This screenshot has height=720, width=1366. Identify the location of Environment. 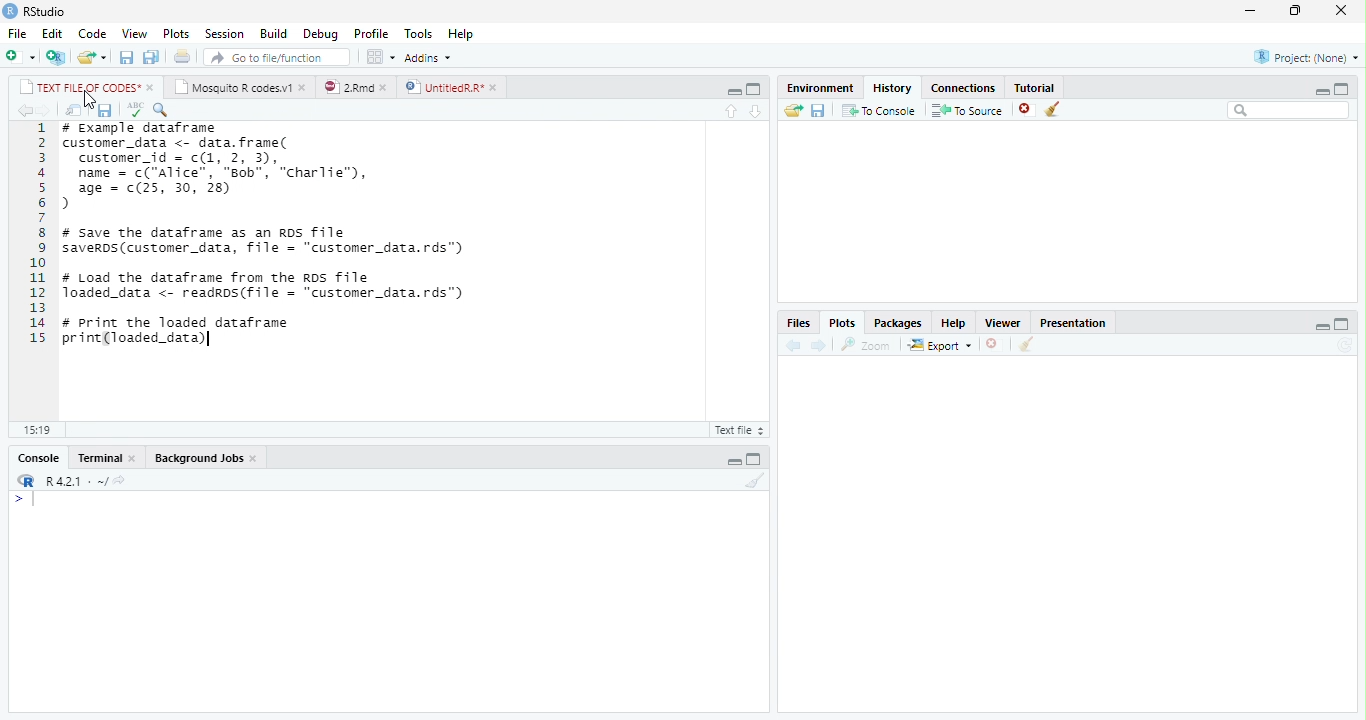
(820, 87).